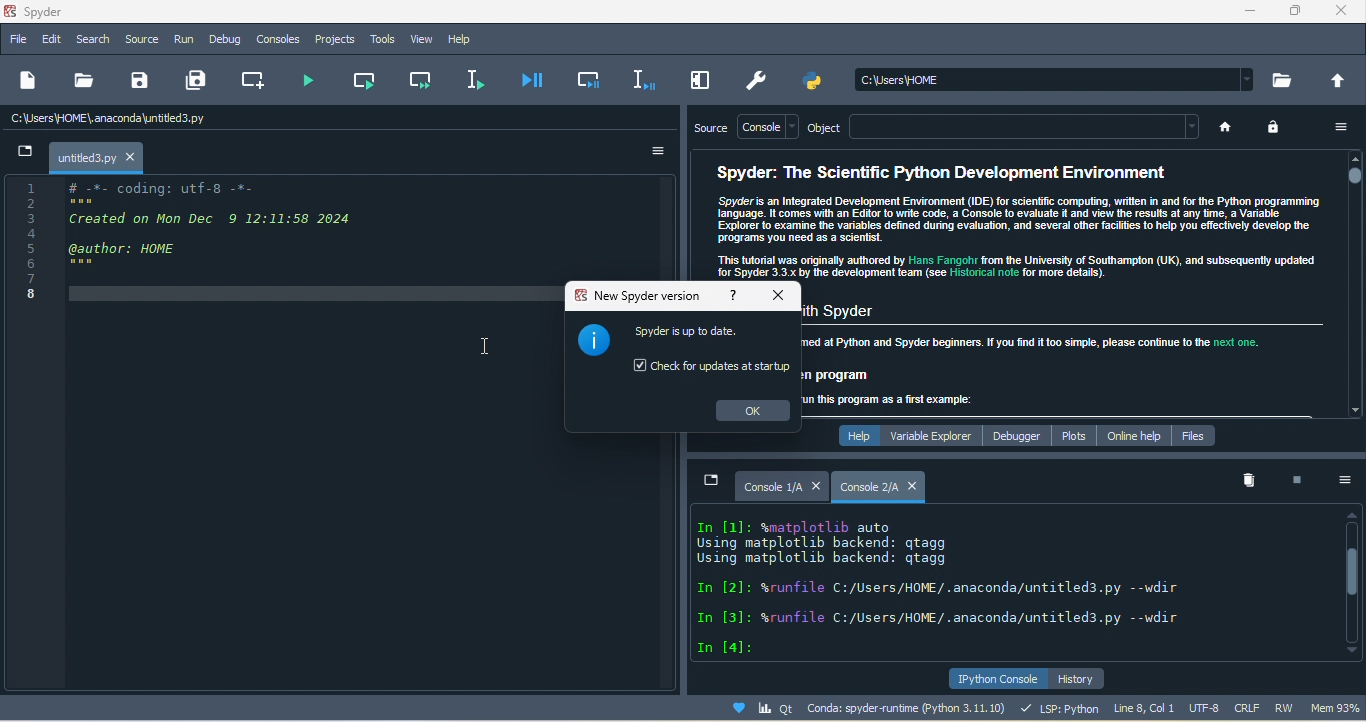  Describe the element at coordinates (1072, 435) in the screenshot. I see `plots` at that location.